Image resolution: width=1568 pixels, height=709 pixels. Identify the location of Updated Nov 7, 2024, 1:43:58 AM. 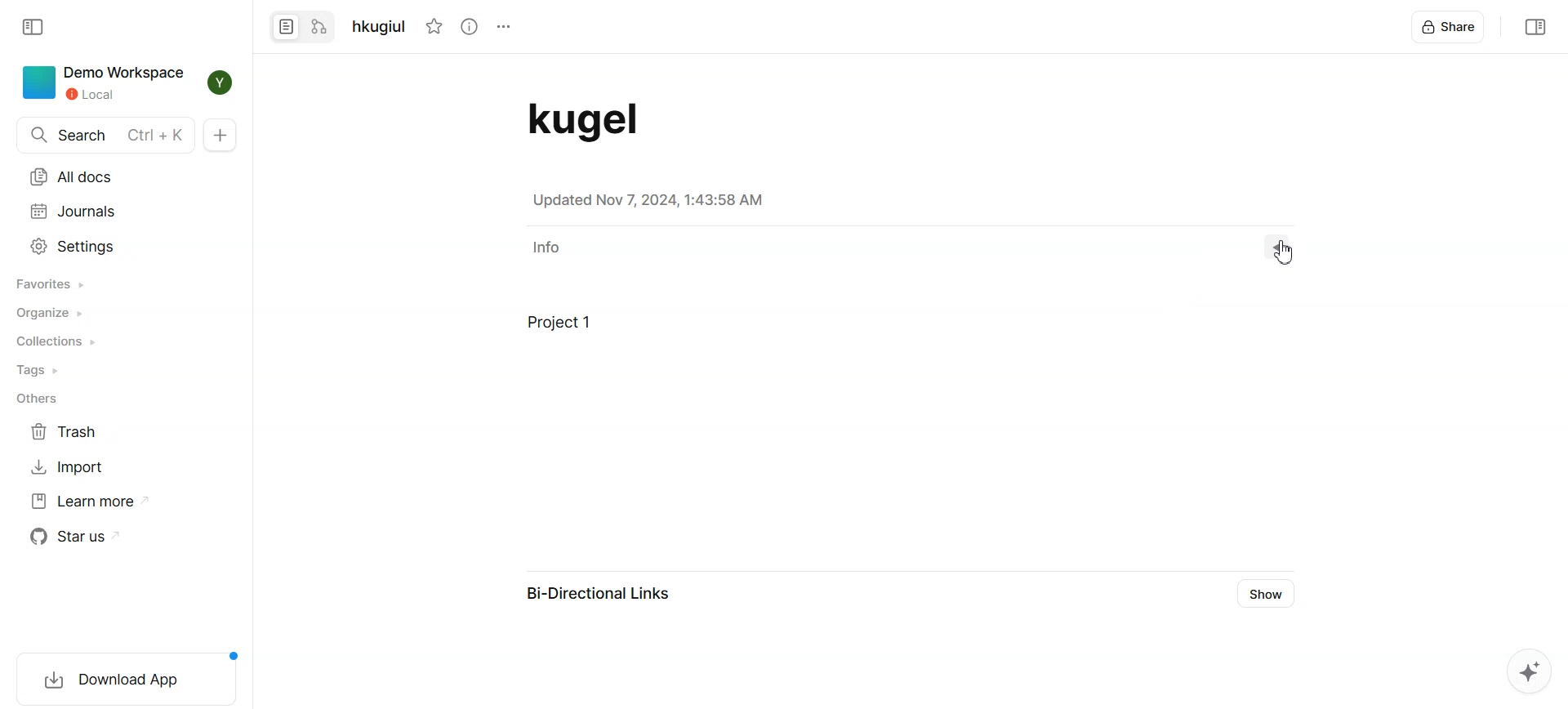
(651, 201).